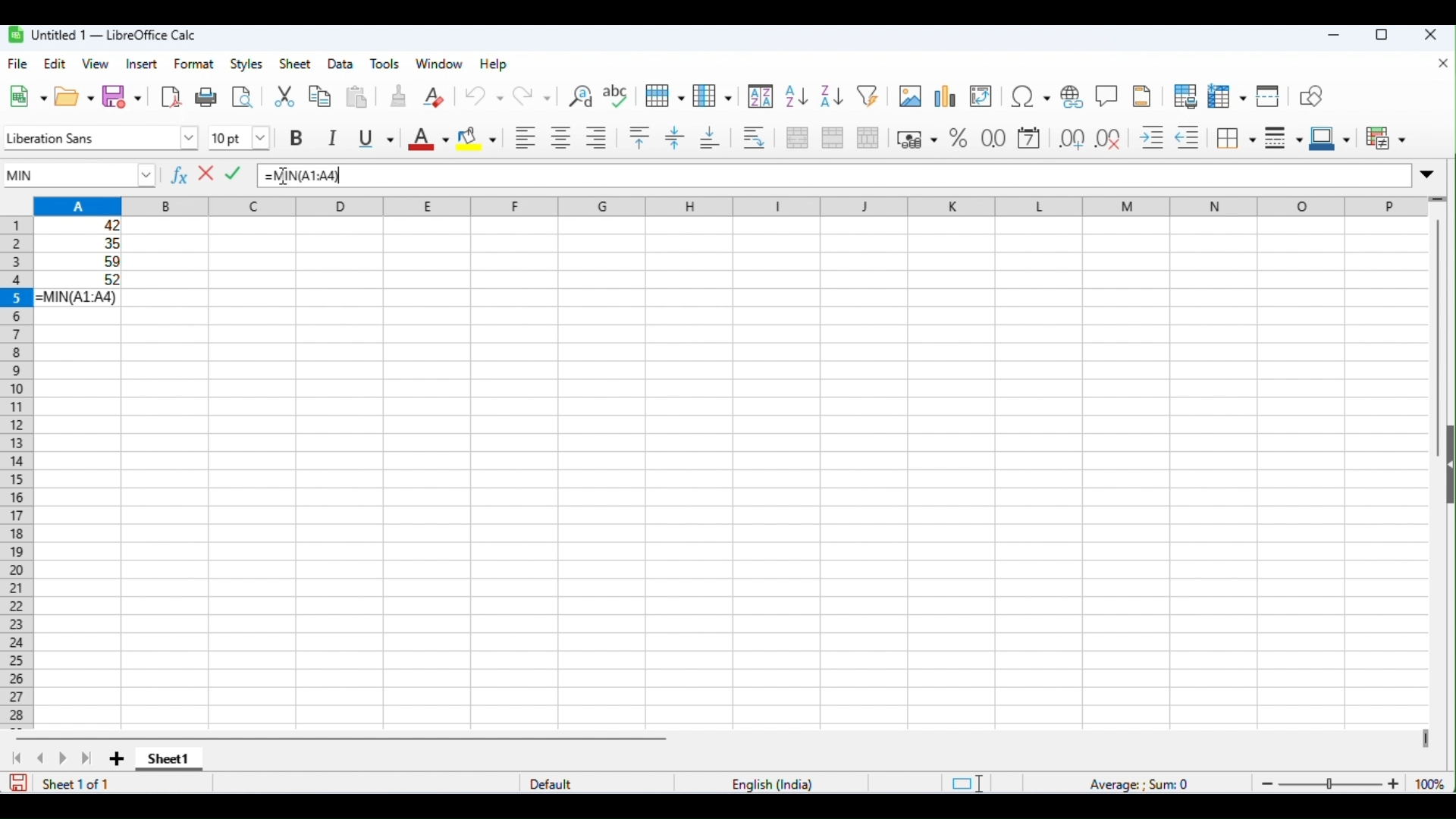 This screenshot has height=819, width=1456. I want to click on tools, so click(386, 64).